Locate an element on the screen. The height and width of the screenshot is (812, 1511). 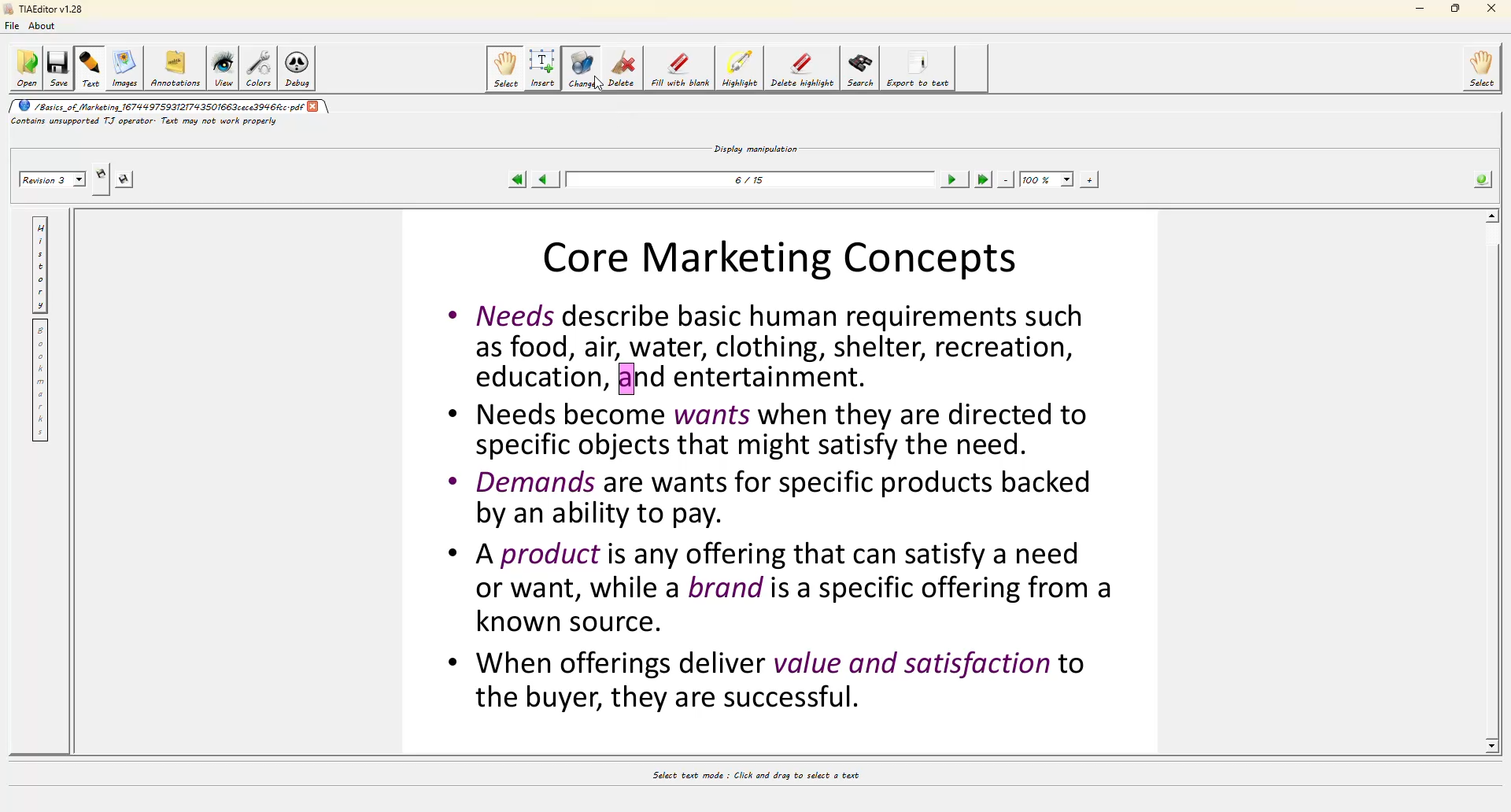
file is located at coordinates (11, 28).